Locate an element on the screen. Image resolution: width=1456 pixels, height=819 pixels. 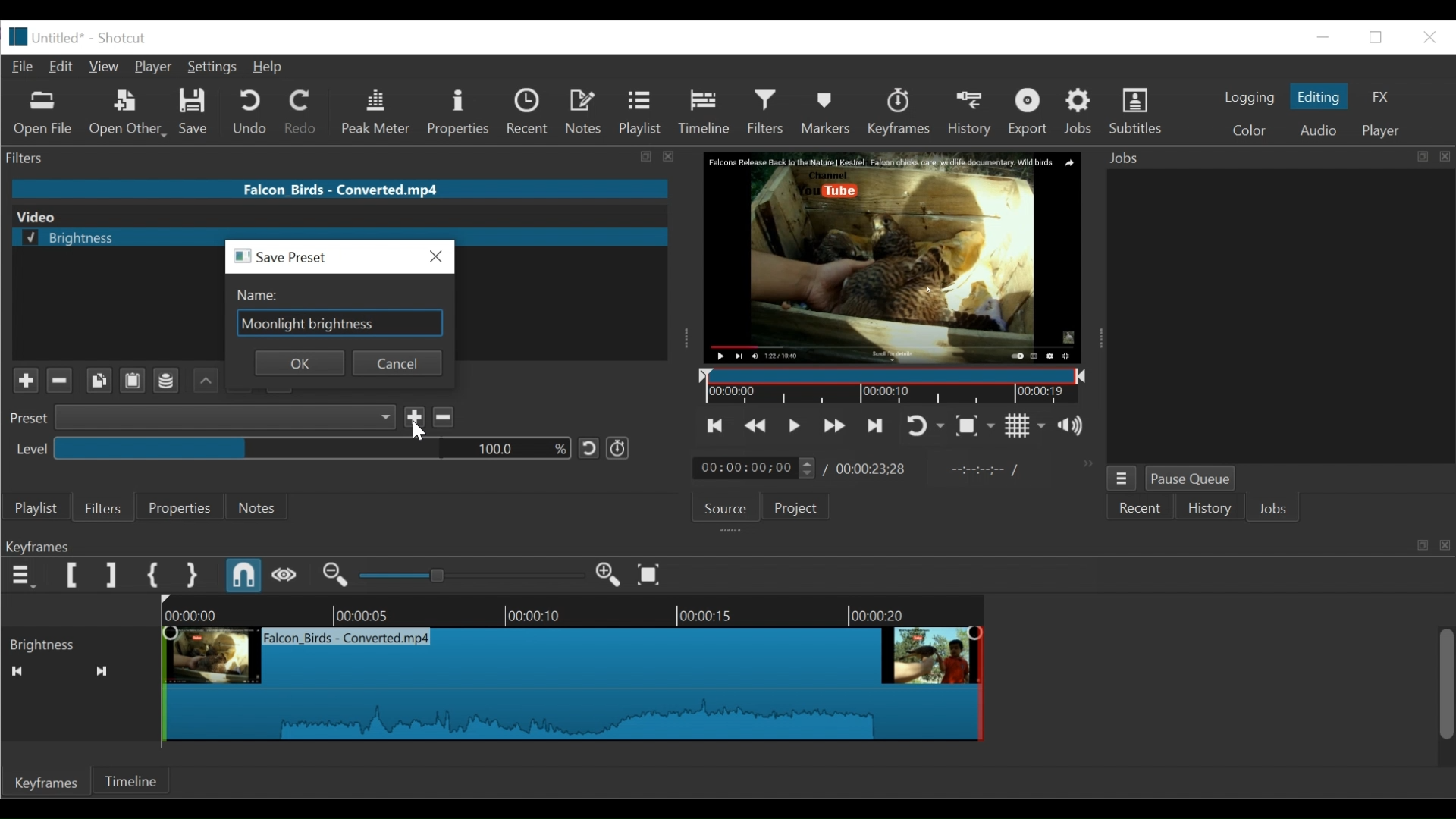
Use keyframe for this parameter is located at coordinates (617, 447).